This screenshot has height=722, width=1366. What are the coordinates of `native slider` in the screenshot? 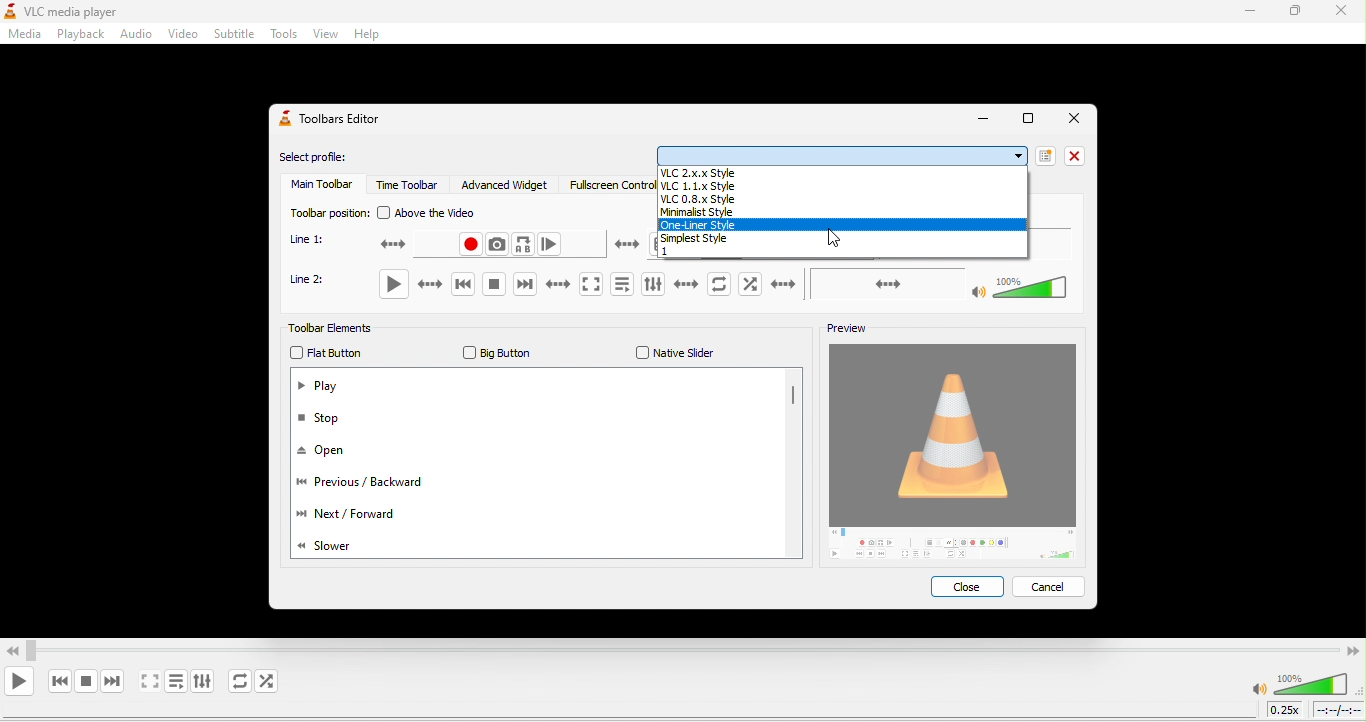 It's located at (678, 353).